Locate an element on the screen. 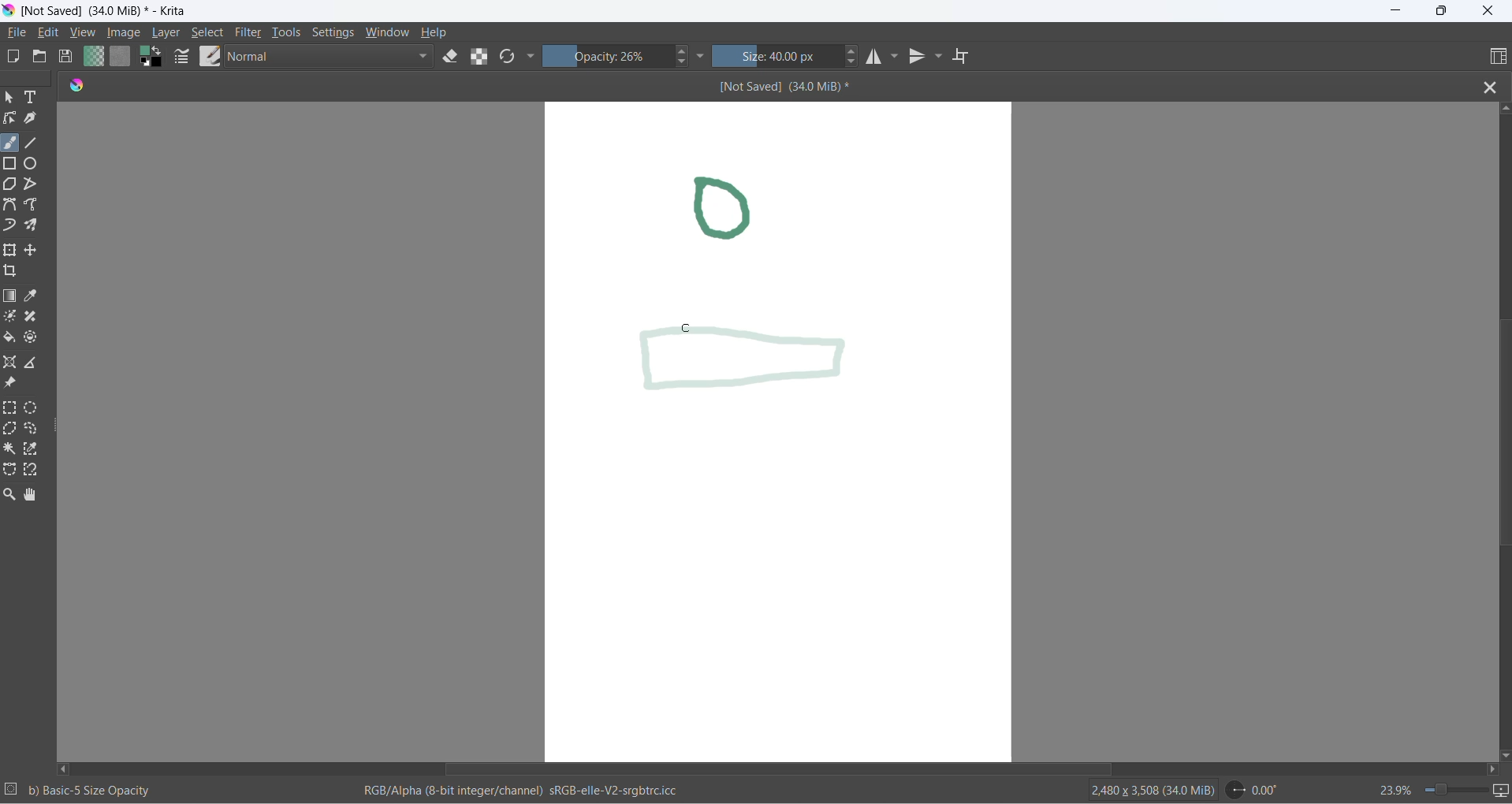 The image size is (1512, 804). select is located at coordinates (210, 32).